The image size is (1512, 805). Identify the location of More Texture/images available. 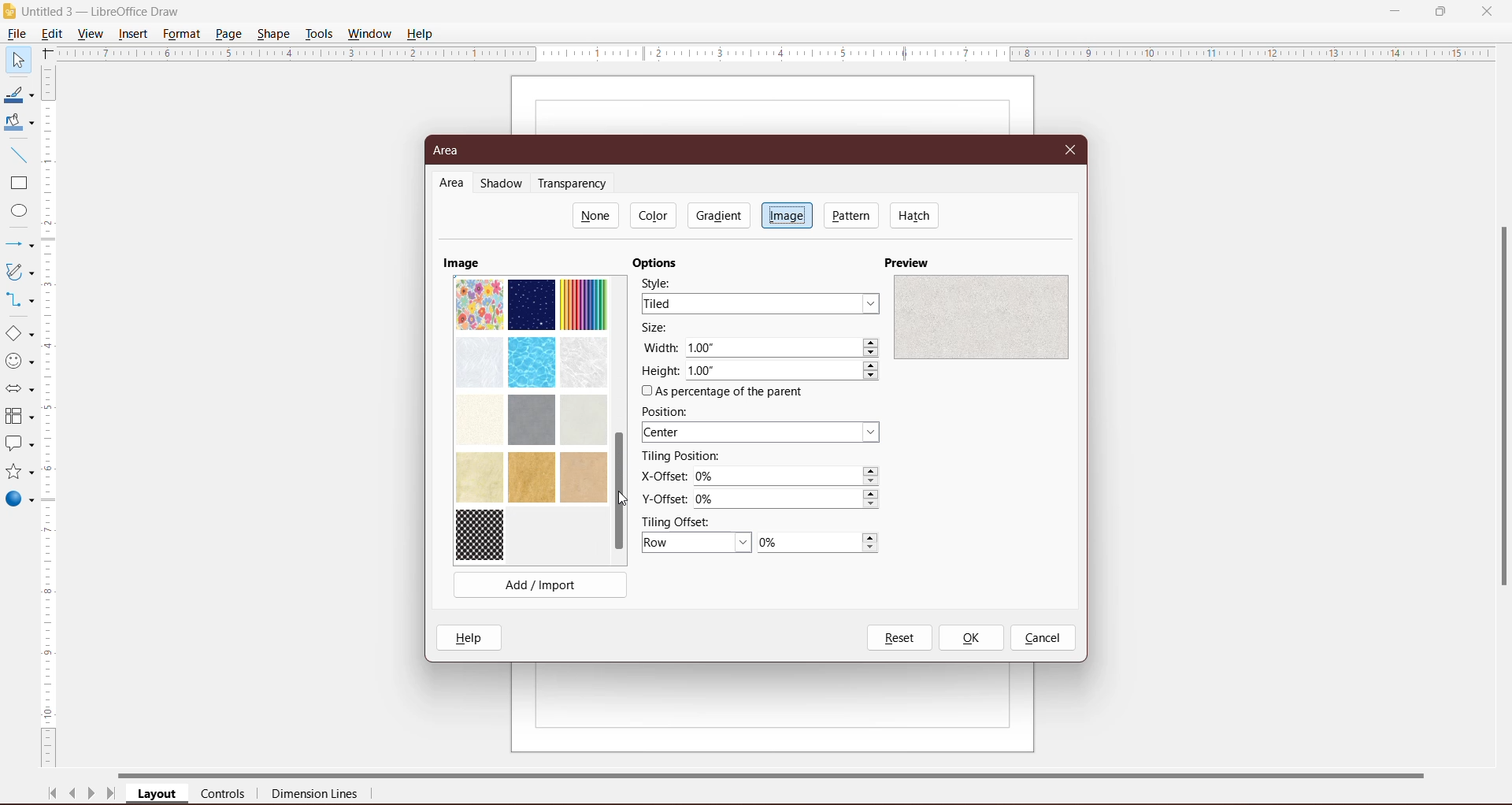
(531, 418).